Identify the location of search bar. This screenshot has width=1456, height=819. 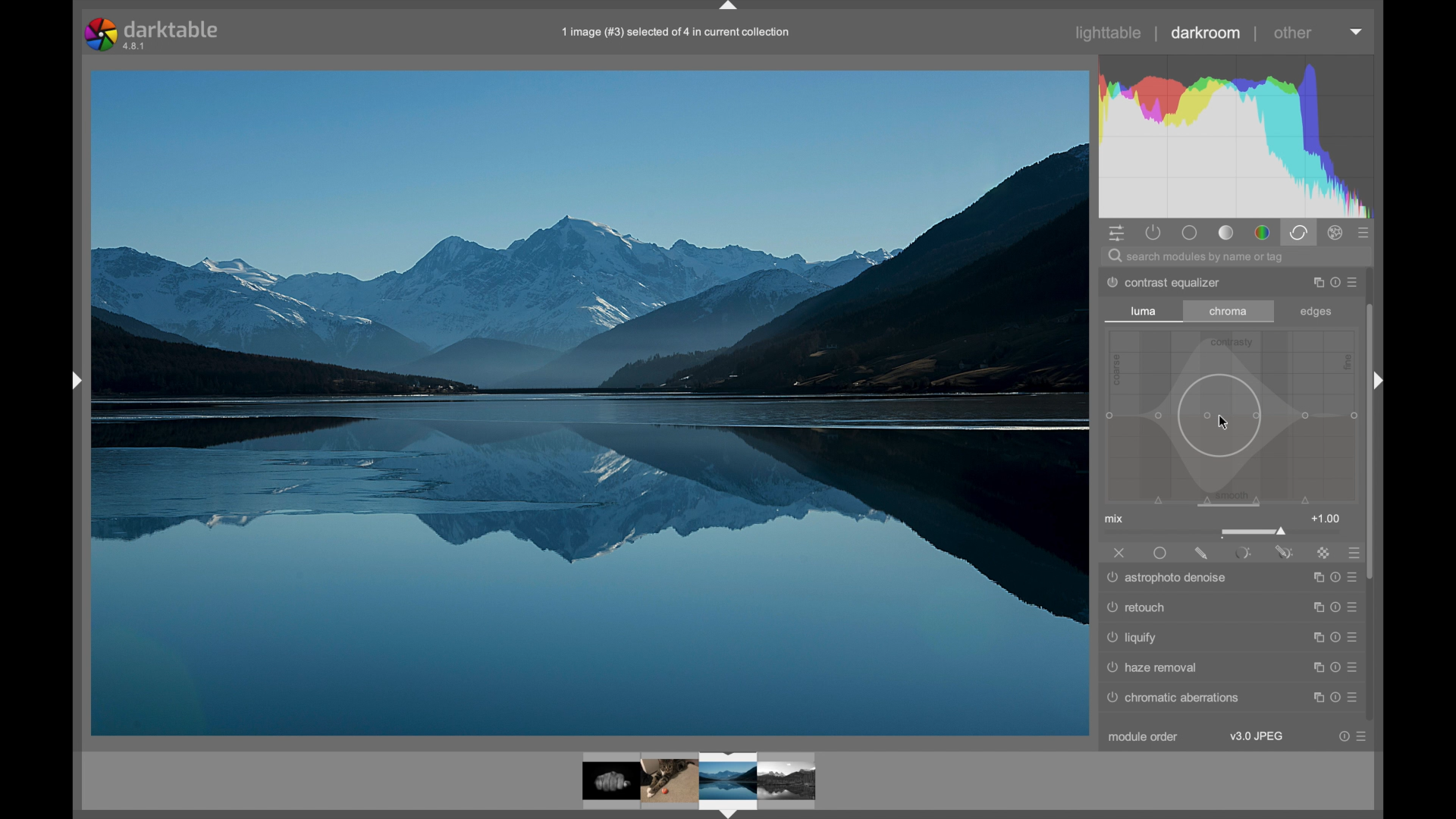
(1241, 256).